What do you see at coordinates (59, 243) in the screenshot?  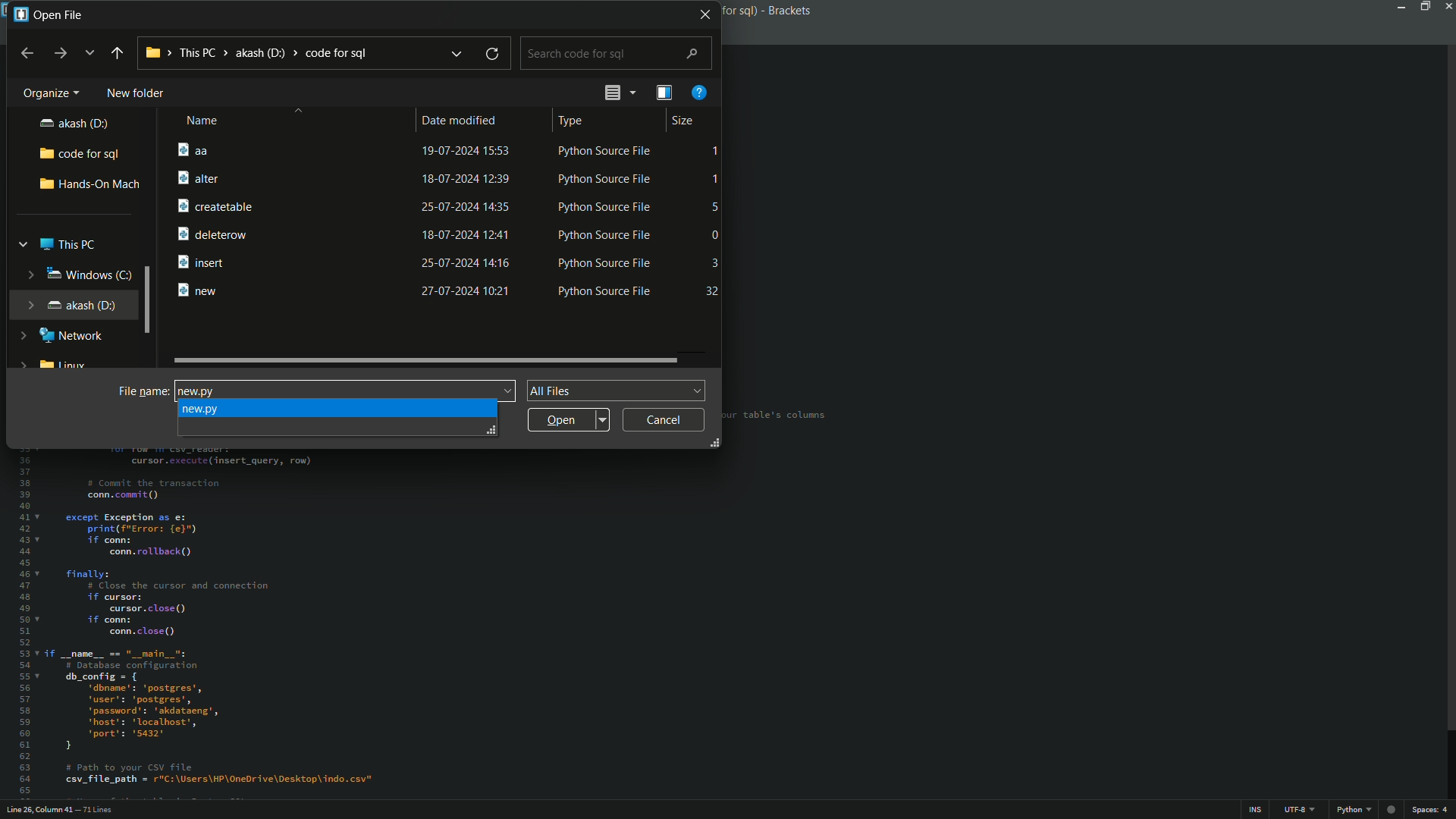 I see `this pc` at bounding box center [59, 243].